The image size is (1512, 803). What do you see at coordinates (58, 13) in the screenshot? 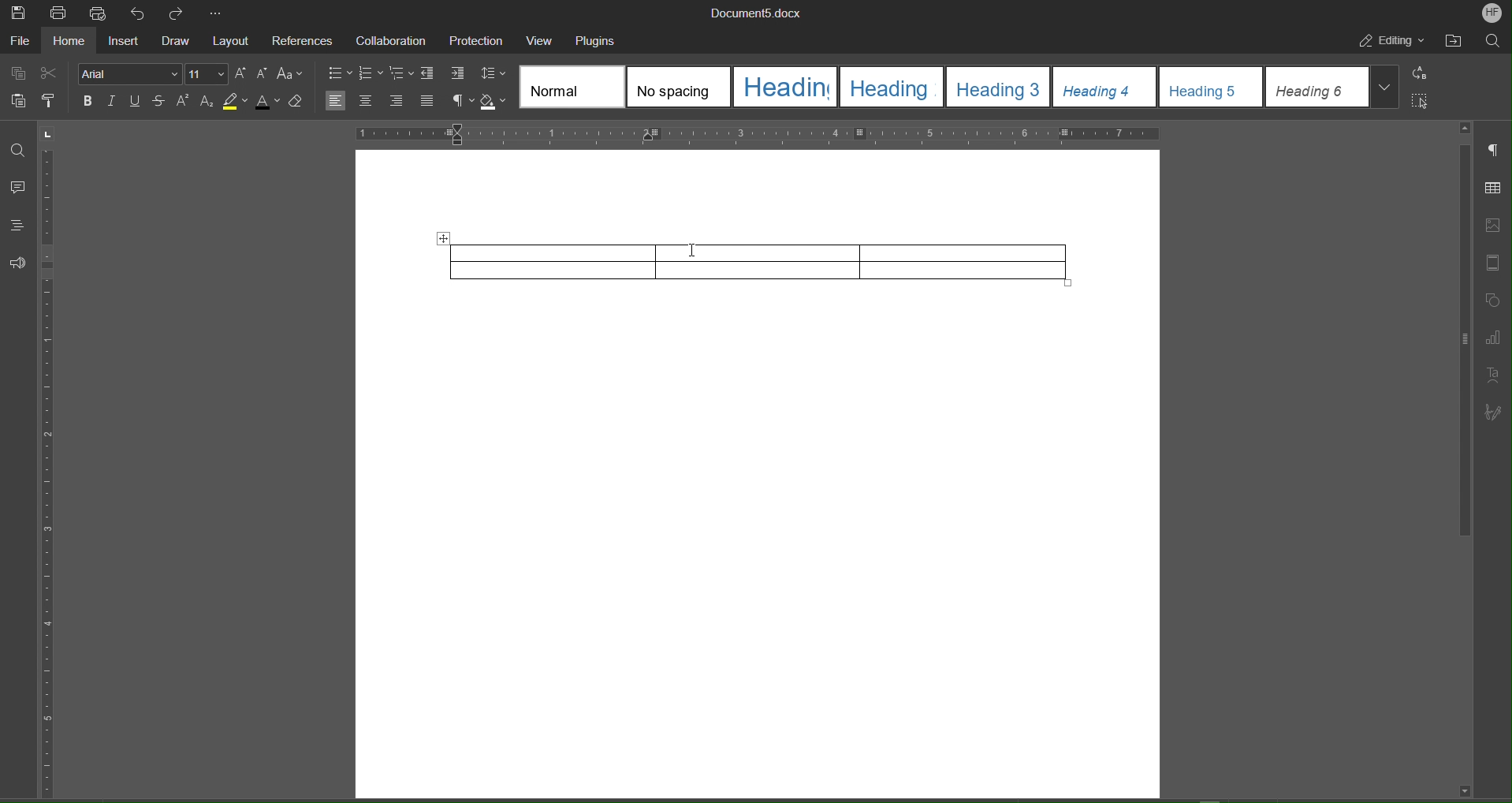
I see `Print` at bounding box center [58, 13].